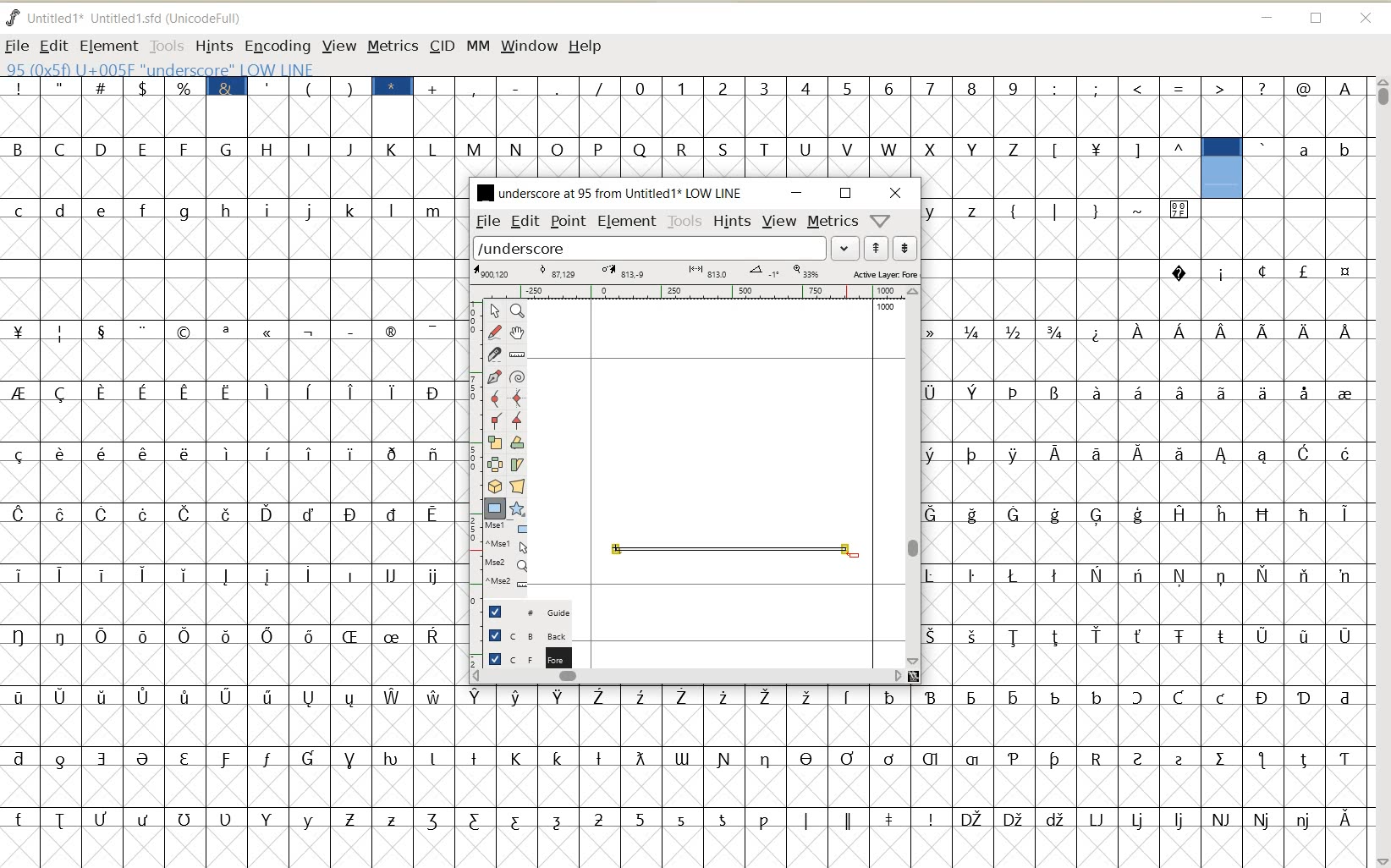  What do you see at coordinates (522, 656) in the screenshot?
I see `FOREGROUND` at bounding box center [522, 656].